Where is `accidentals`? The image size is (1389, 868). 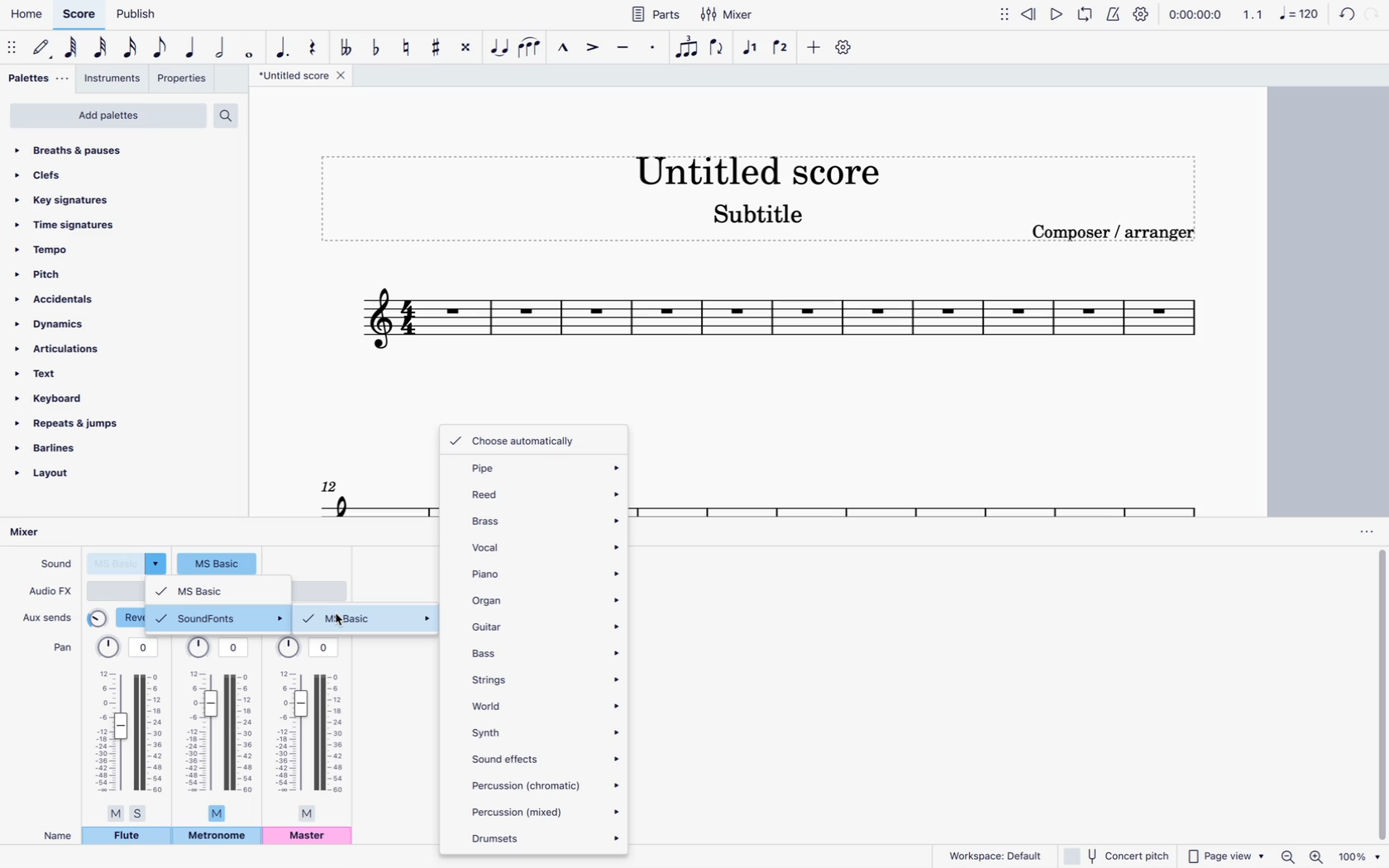 accidentals is located at coordinates (63, 299).